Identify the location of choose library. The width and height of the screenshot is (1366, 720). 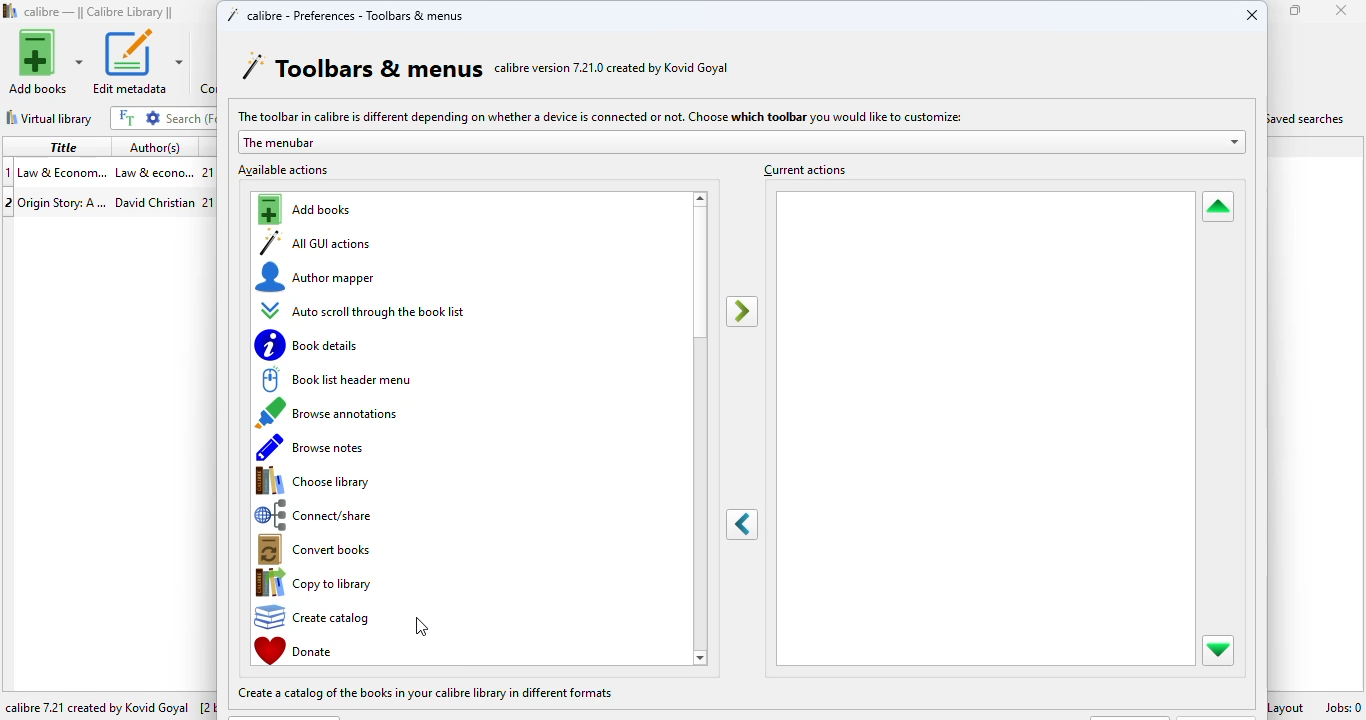
(315, 481).